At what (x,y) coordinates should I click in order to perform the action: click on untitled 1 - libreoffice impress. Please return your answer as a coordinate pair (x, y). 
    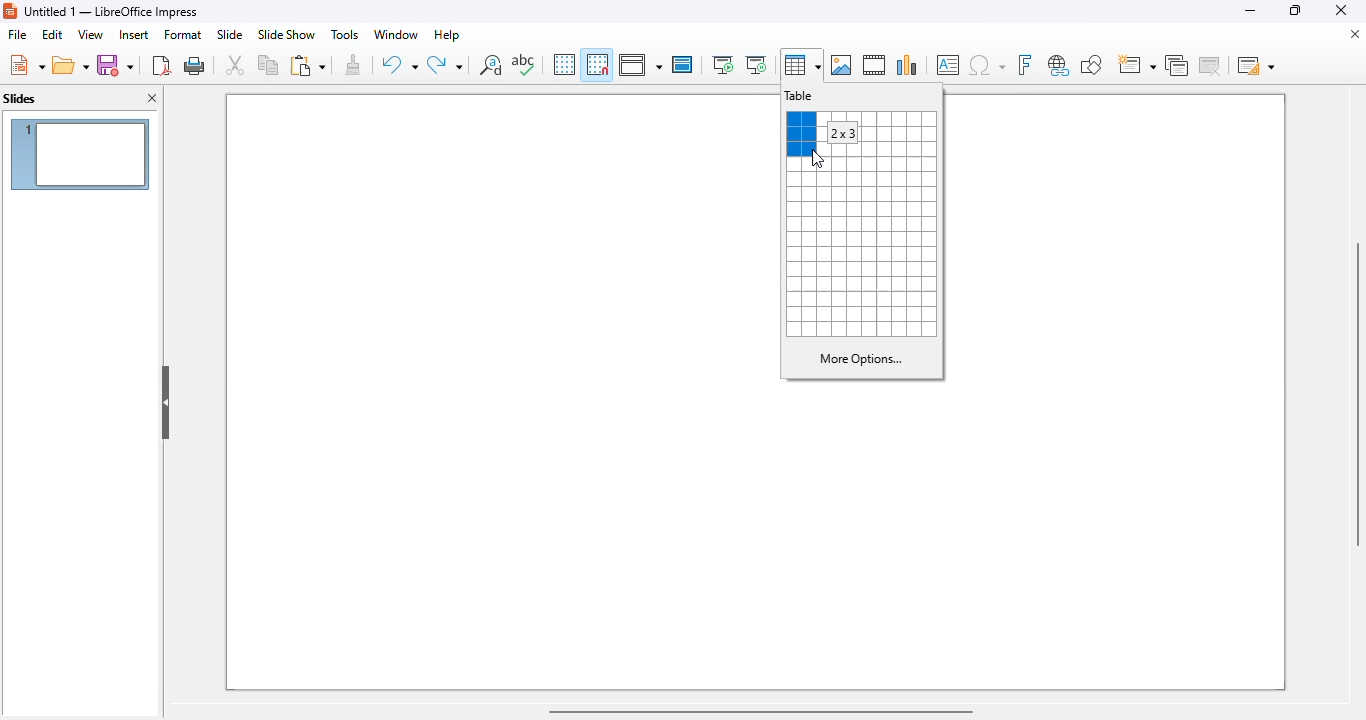
    Looking at the image, I should click on (112, 11).